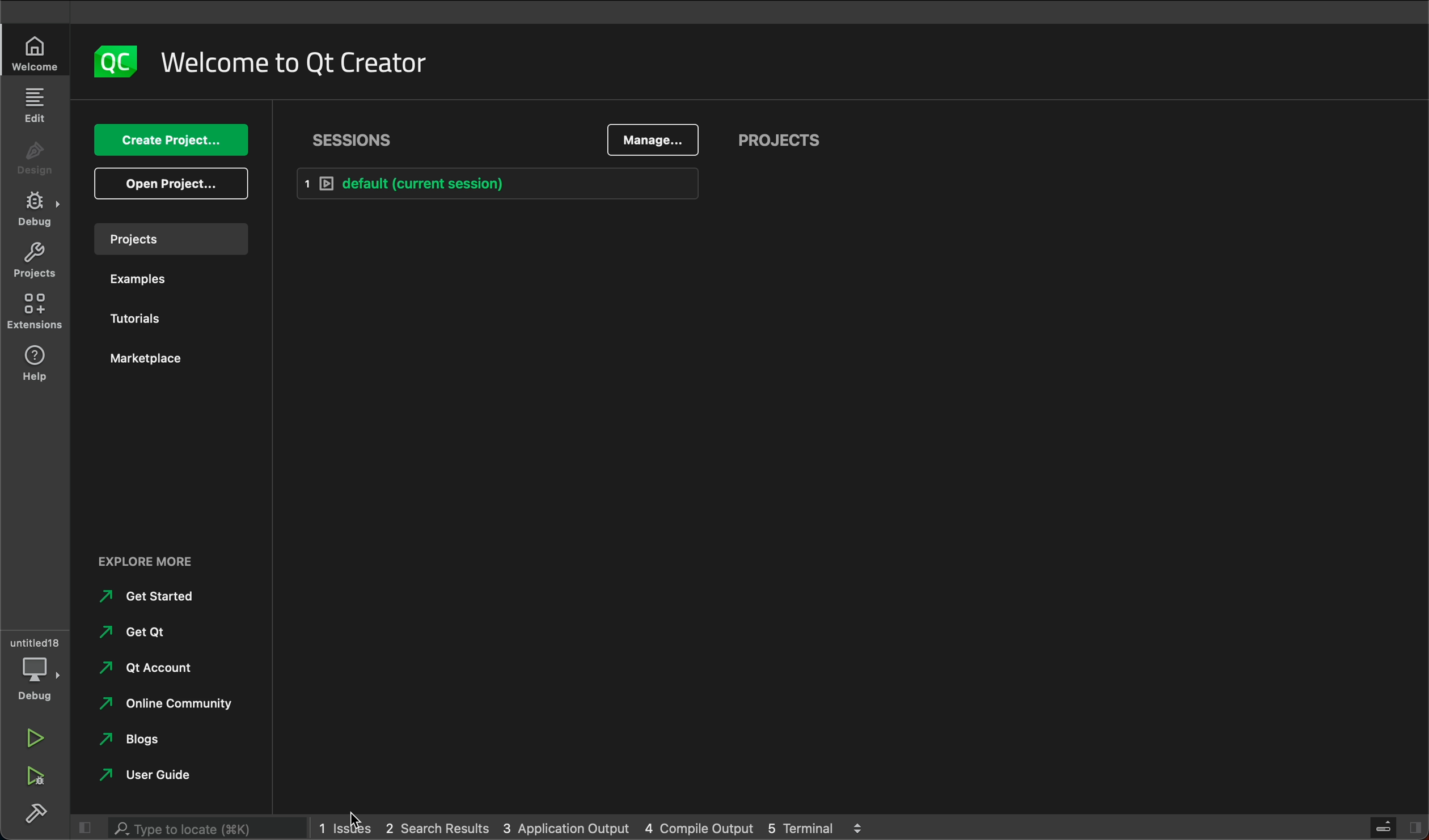 This screenshot has width=1429, height=840. I want to click on user guide, so click(157, 779).